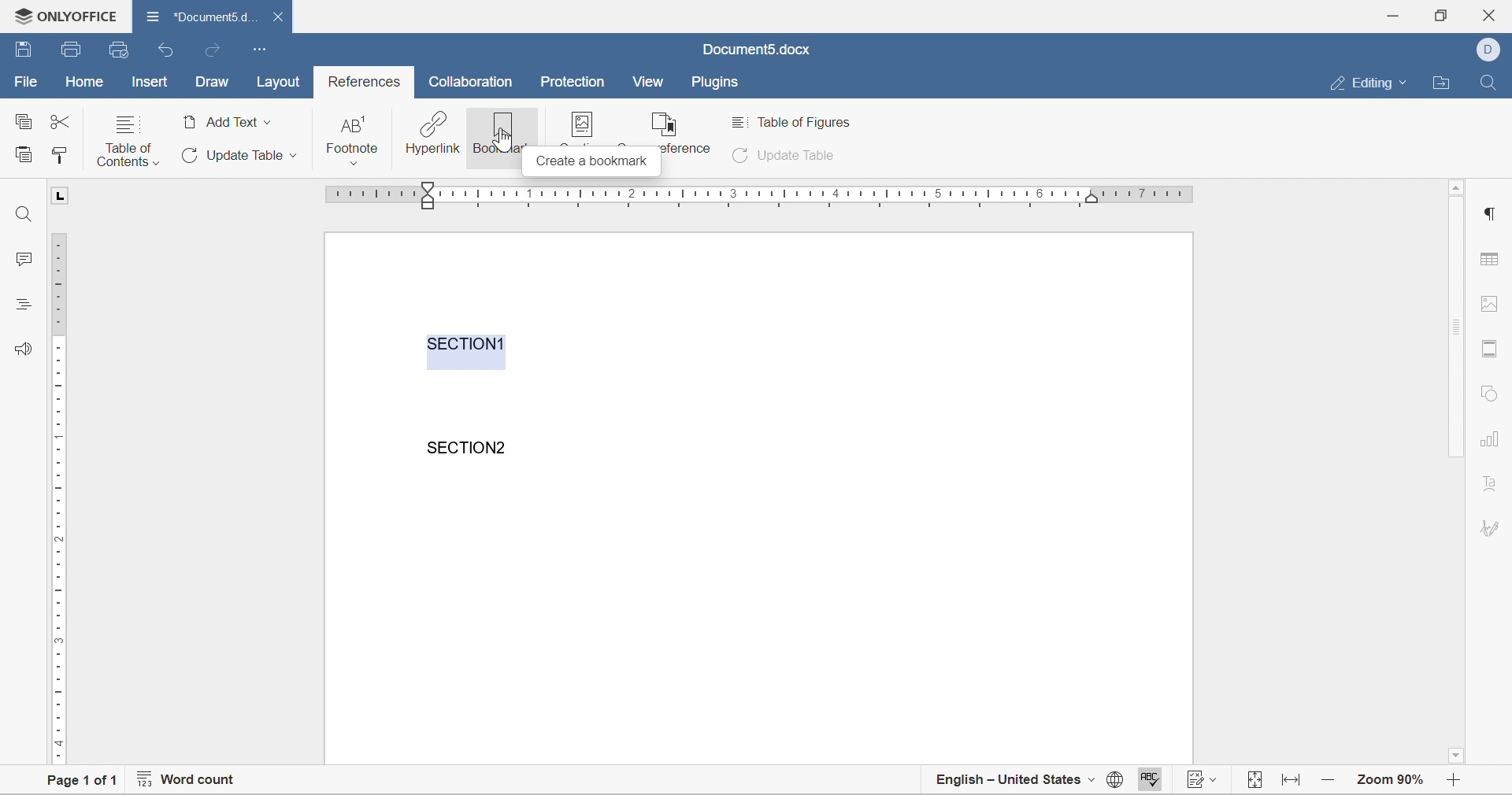 This screenshot has width=1512, height=795. I want to click on text art settings, so click(1491, 483).